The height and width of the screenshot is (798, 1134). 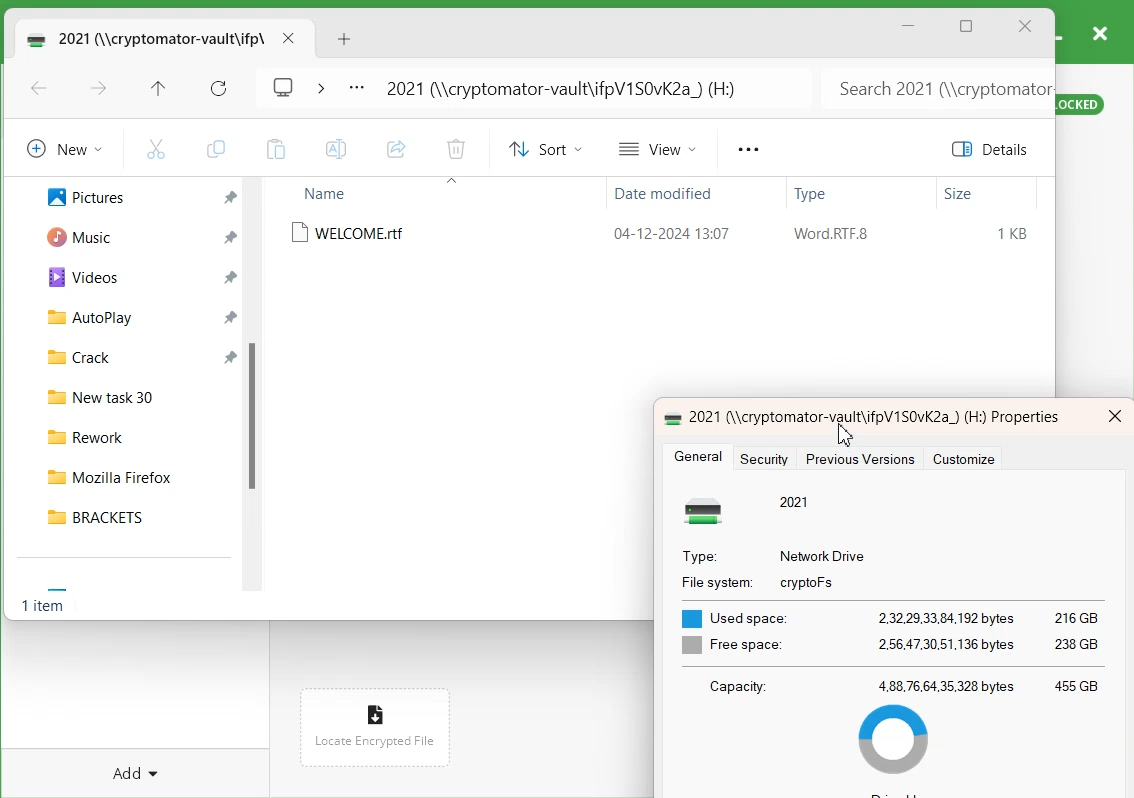 What do you see at coordinates (1078, 618) in the screenshot?
I see `216 GB` at bounding box center [1078, 618].